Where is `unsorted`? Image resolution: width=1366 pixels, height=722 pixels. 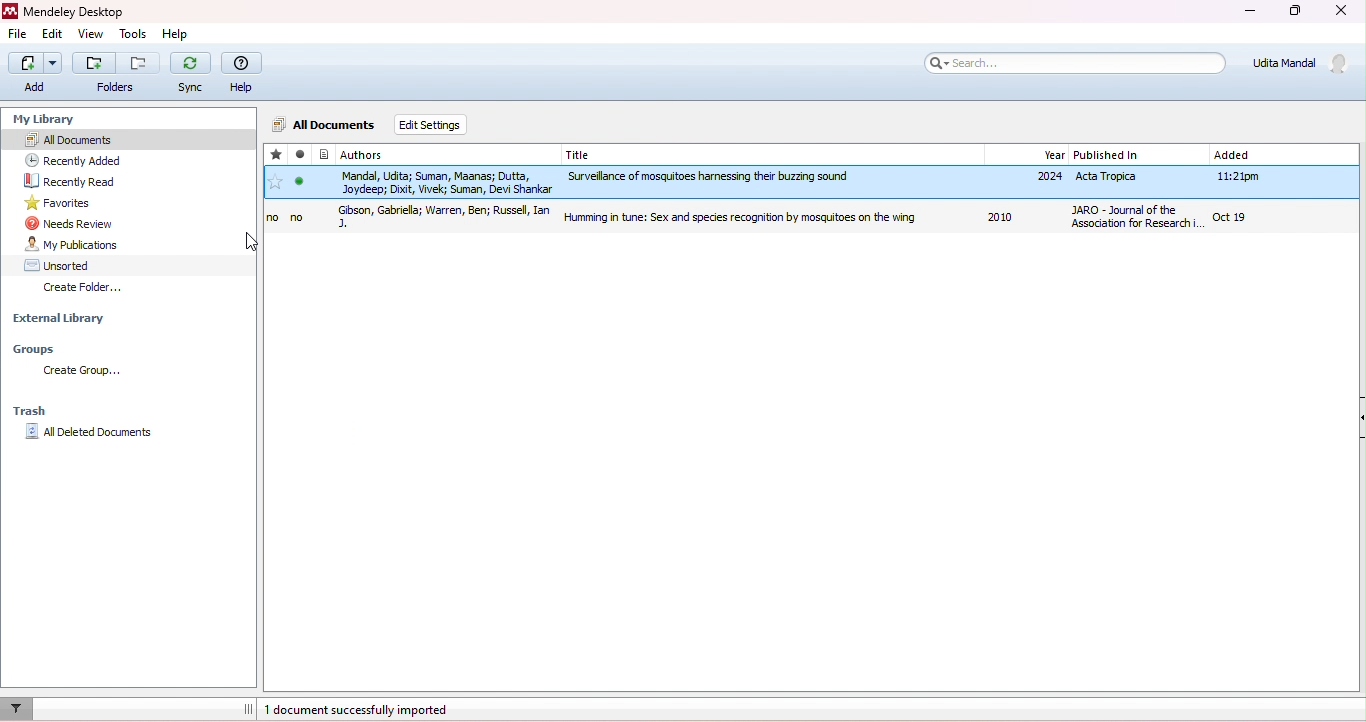
unsorted is located at coordinates (60, 267).